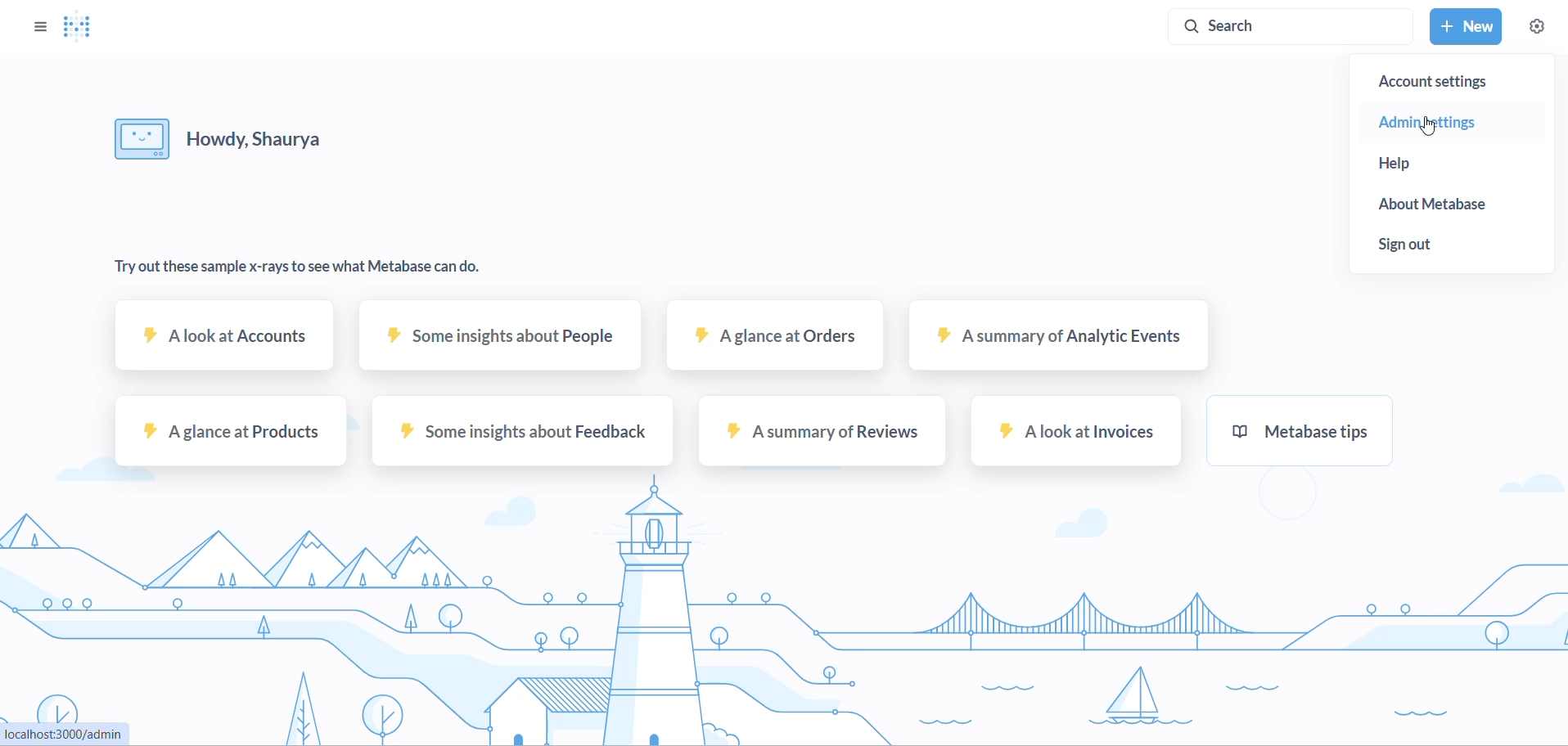 The width and height of the screenshot is (1568, 746). Describe the element at coordinates (304, 257) in the screenshot. I see `TEXT` at that location.